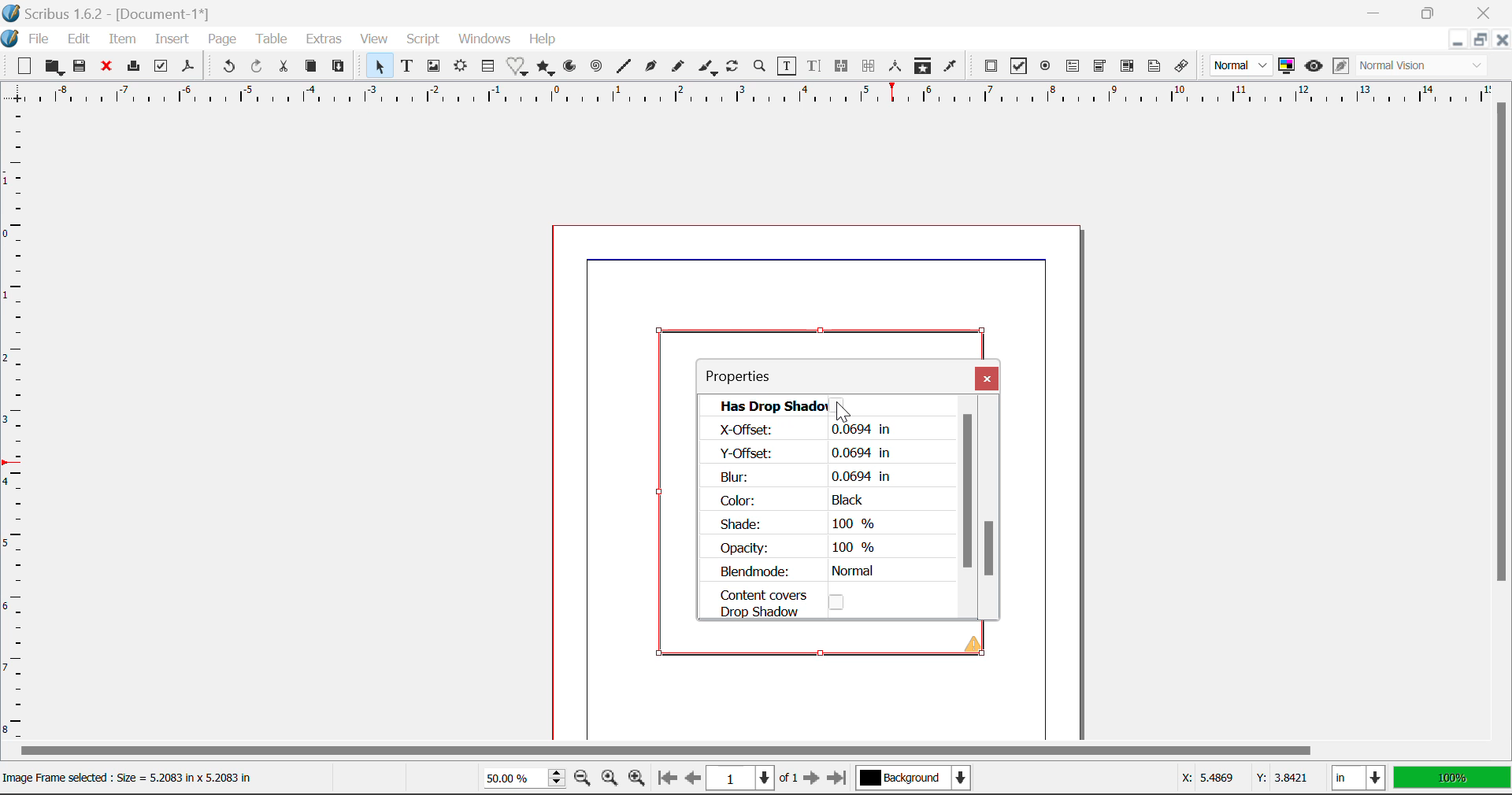 This screenshot has height=795, width=1512. I want to click on Insert Table, so click(491, 68).